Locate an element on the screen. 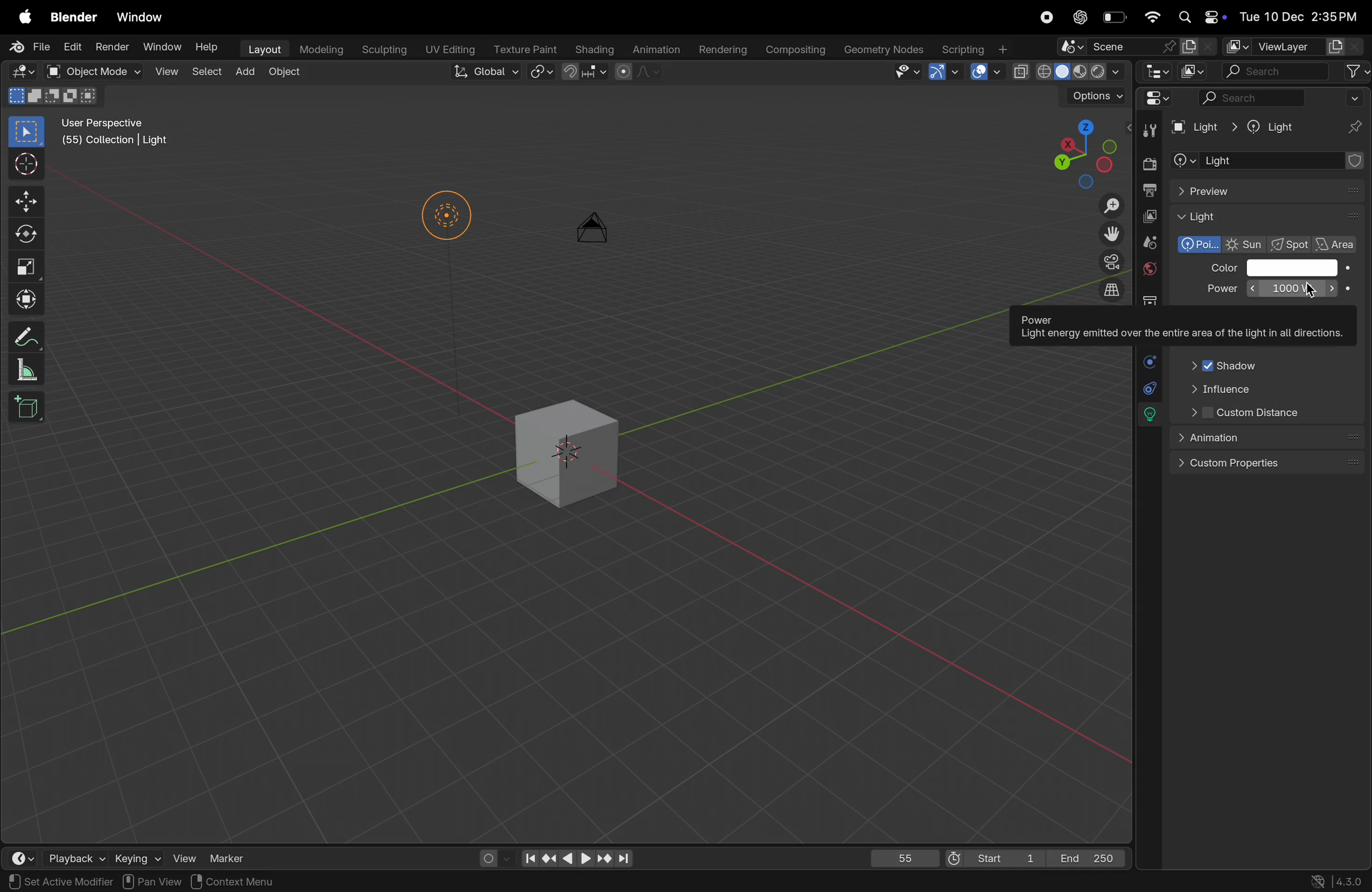 The height and width of the screenshot is (892, 1372). scale is located at coordinates (26, 371).